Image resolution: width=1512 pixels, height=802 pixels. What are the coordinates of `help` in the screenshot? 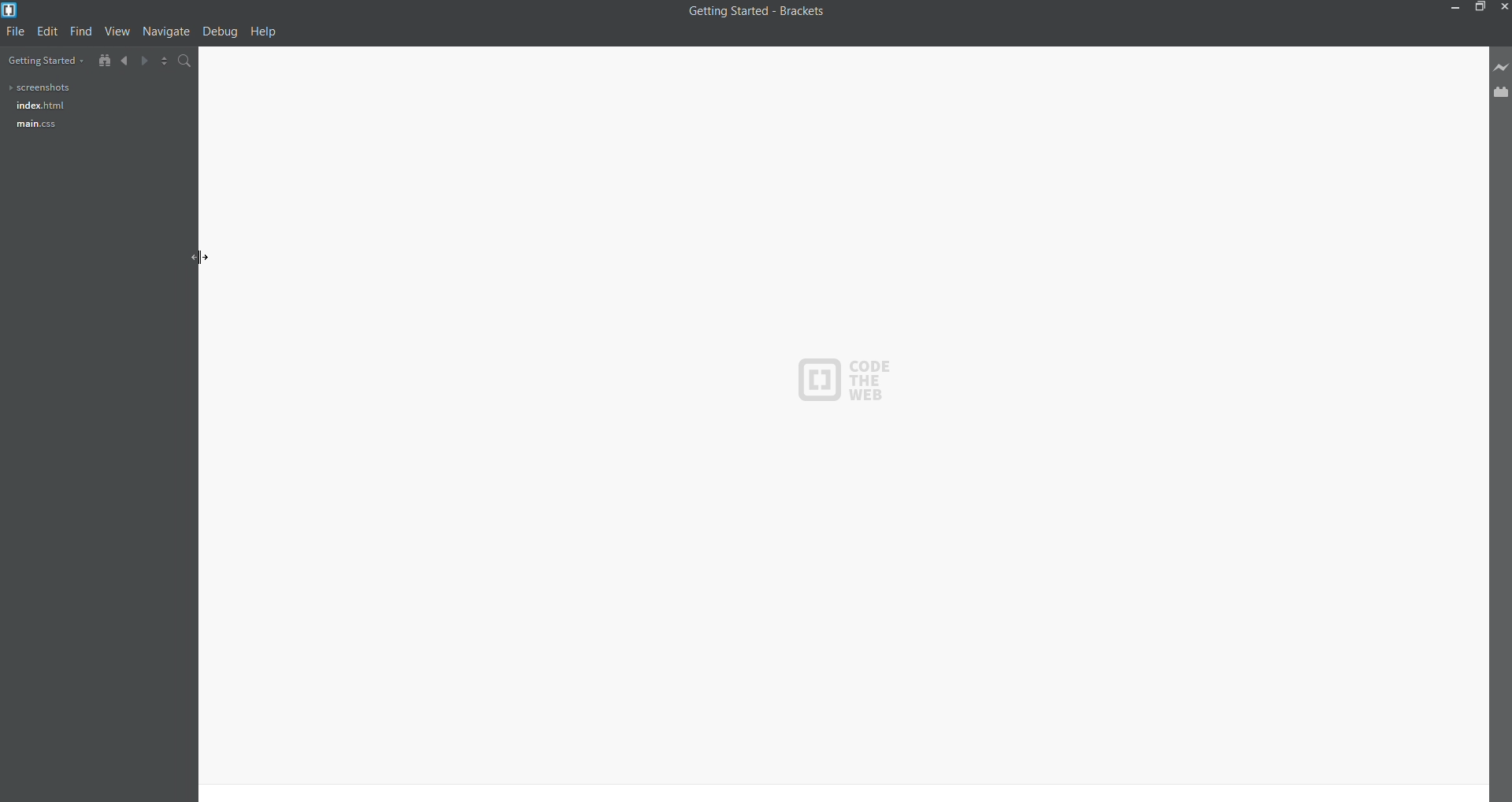 It's located at (268, 33).